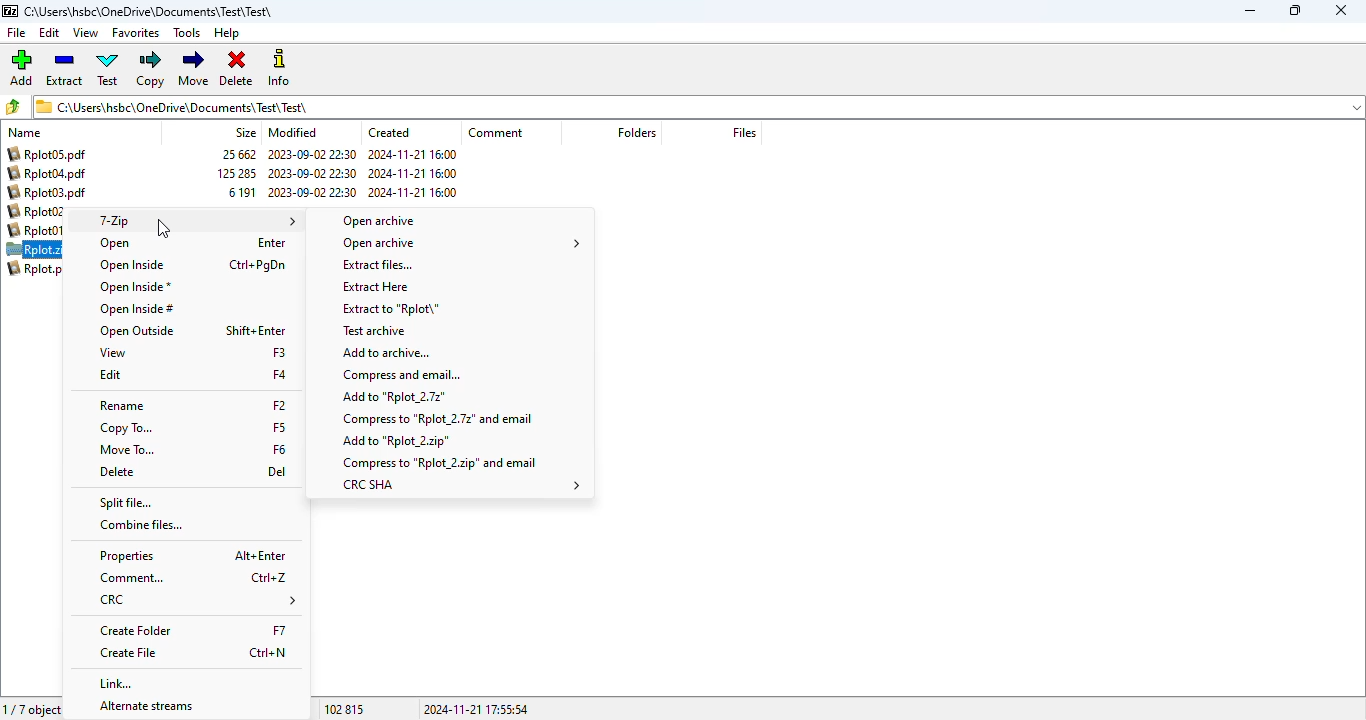  What do you see at coordinates (135, 288) in the screenshot?
I see `open inside*` at bounding box center [135, 288].